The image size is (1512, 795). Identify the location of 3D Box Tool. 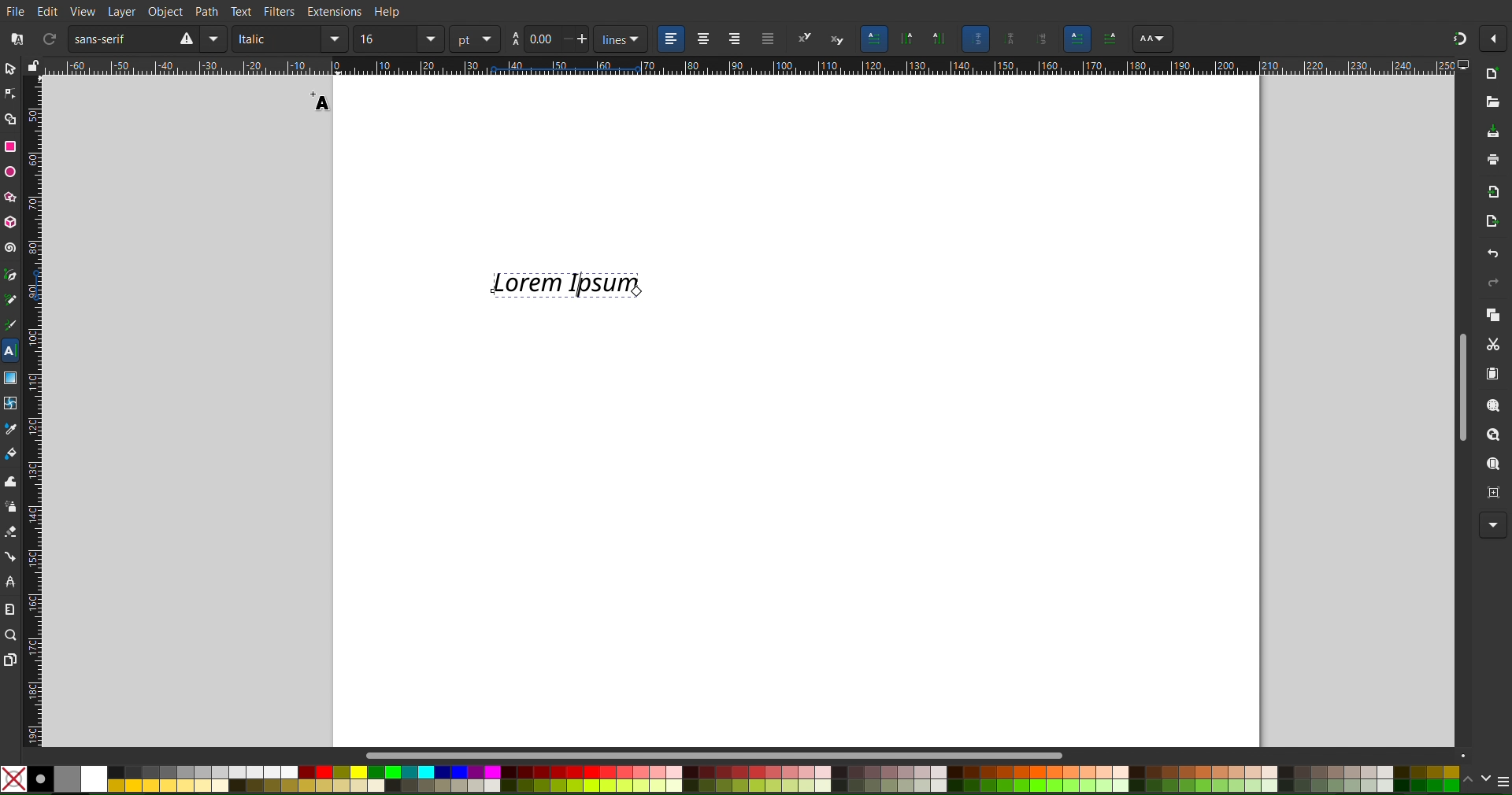
(10, 221).